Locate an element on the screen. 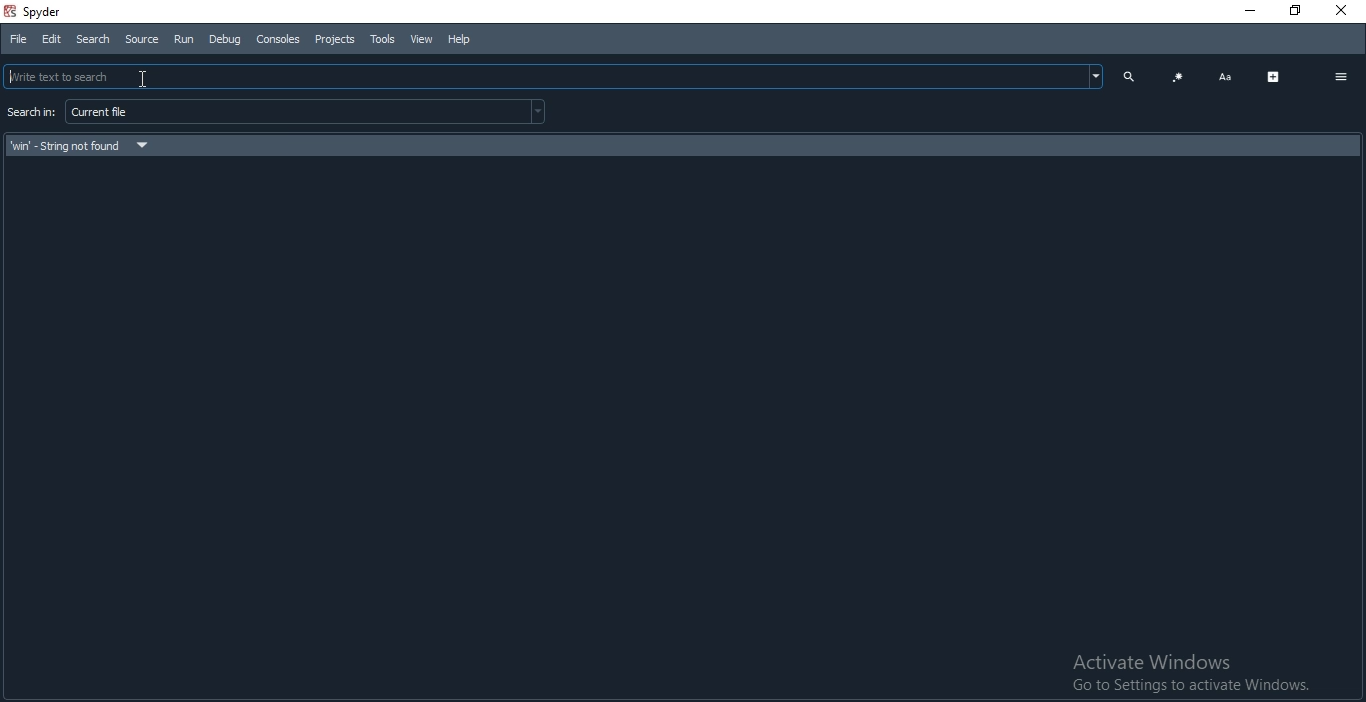  View is located at coordinates (419, 39).